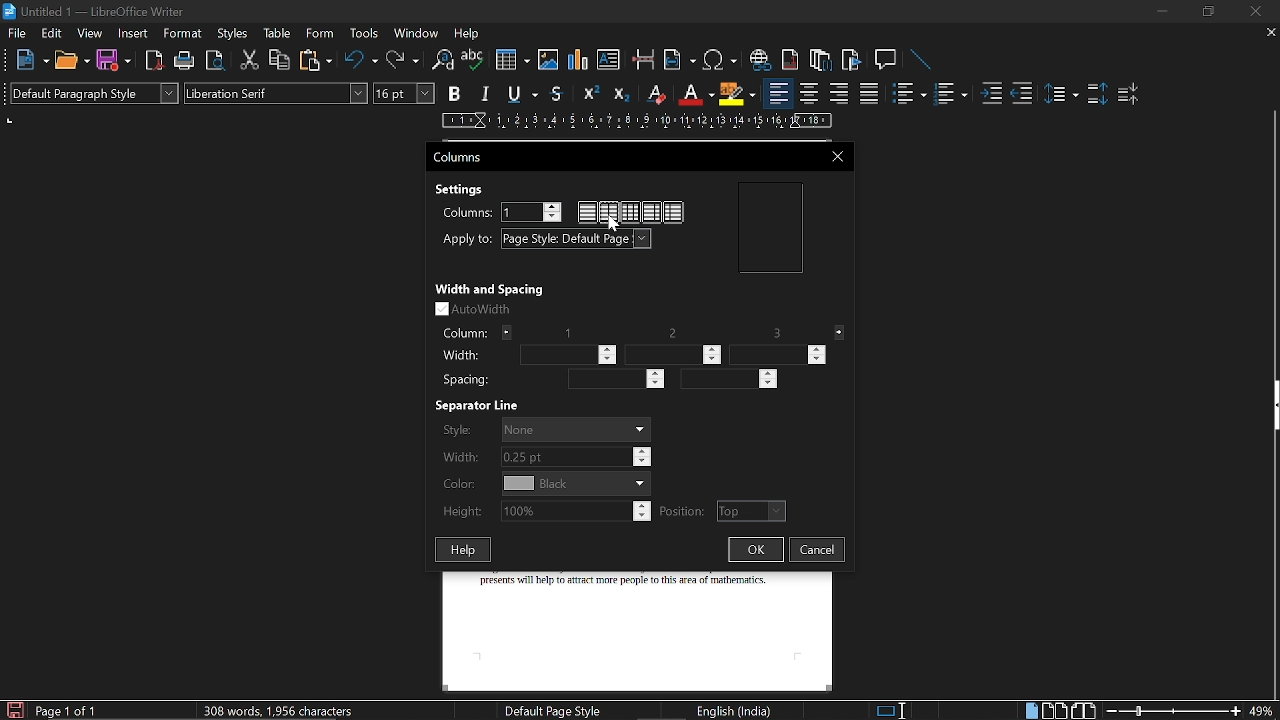 The image size is (1280, 720). Describe the element at coordinates (779, 354) in the screenshot. I see `Width of column 3` at that location.